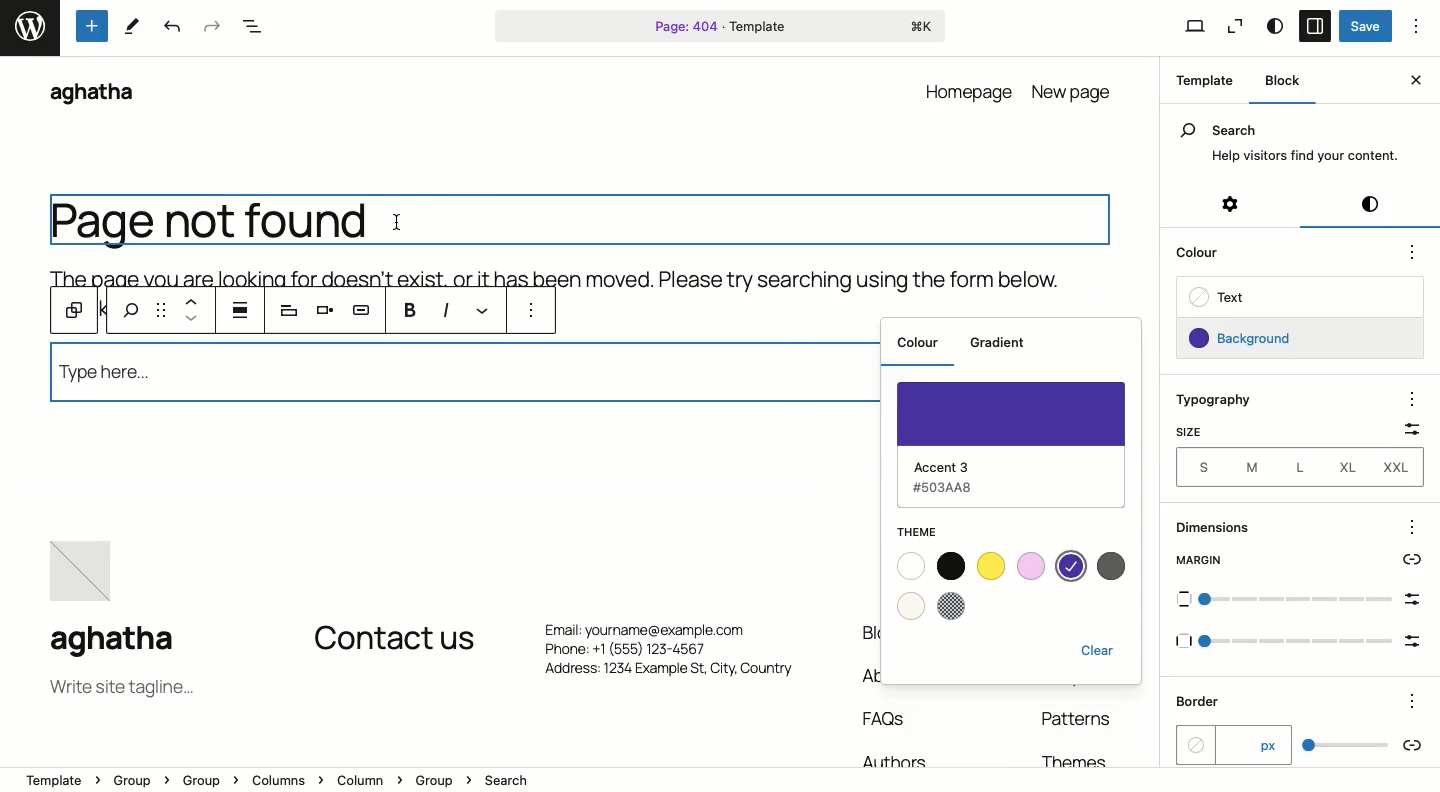  I want to click on Patterns, so click(1081, 725).